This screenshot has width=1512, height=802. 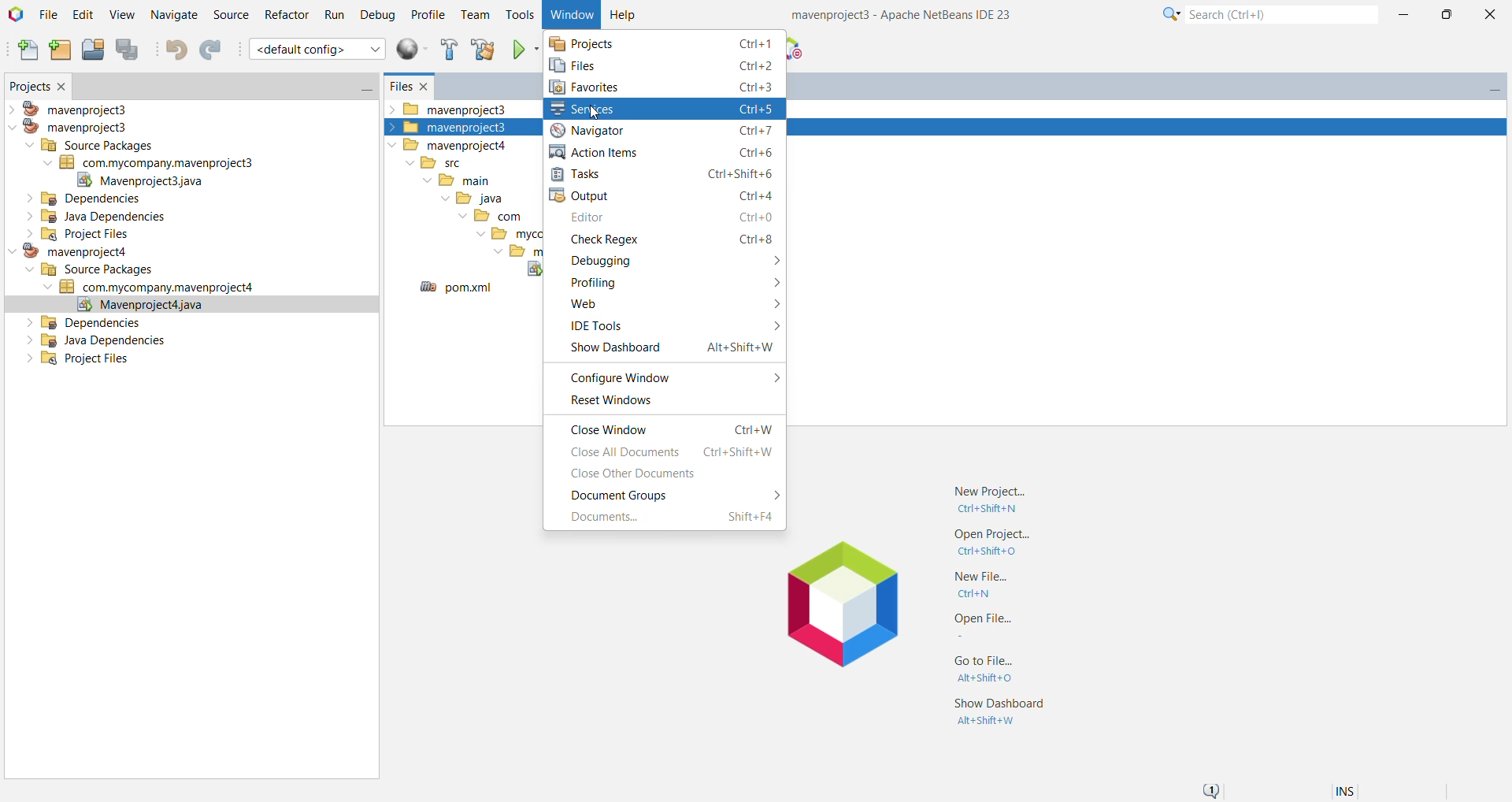 I want to click on Close Window, so click(x=673, y=429).